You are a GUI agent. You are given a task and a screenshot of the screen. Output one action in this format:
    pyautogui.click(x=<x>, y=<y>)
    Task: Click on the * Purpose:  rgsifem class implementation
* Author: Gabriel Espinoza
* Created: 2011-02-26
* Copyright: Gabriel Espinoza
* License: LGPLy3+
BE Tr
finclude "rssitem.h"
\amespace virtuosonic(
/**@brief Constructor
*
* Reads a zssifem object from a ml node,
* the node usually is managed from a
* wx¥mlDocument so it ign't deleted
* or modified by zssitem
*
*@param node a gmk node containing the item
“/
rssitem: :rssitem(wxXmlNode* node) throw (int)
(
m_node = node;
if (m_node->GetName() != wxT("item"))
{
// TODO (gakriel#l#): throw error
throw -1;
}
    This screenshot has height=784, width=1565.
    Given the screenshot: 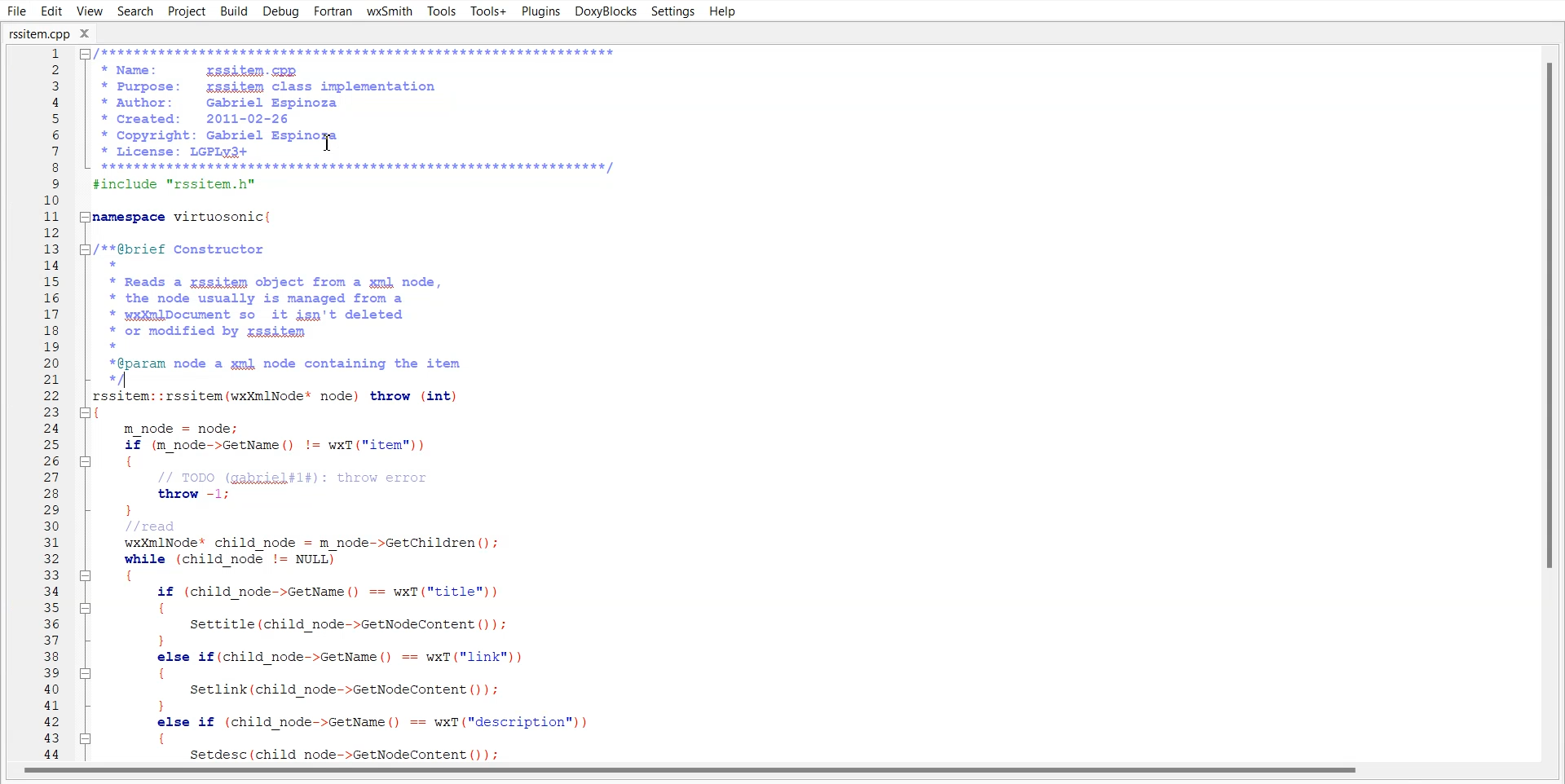 What is the action you would take?
    pyautogui.click(x=355, y=403)
    